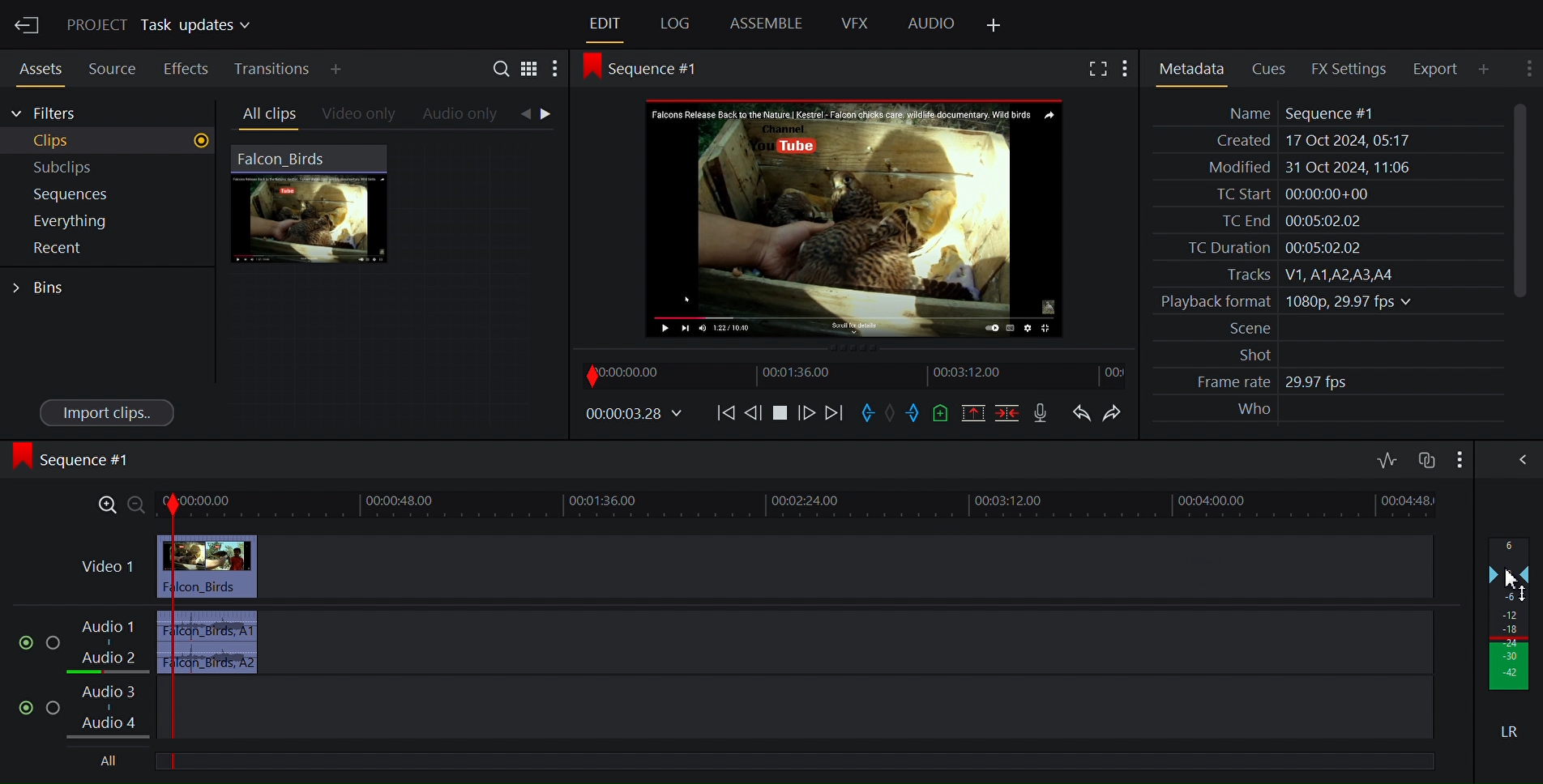 This screenshot has width=1543, height=784. What do you see at coordinates (855, 374) in the screenshot?
I see `Timeline` at bounding box center [855, 374].